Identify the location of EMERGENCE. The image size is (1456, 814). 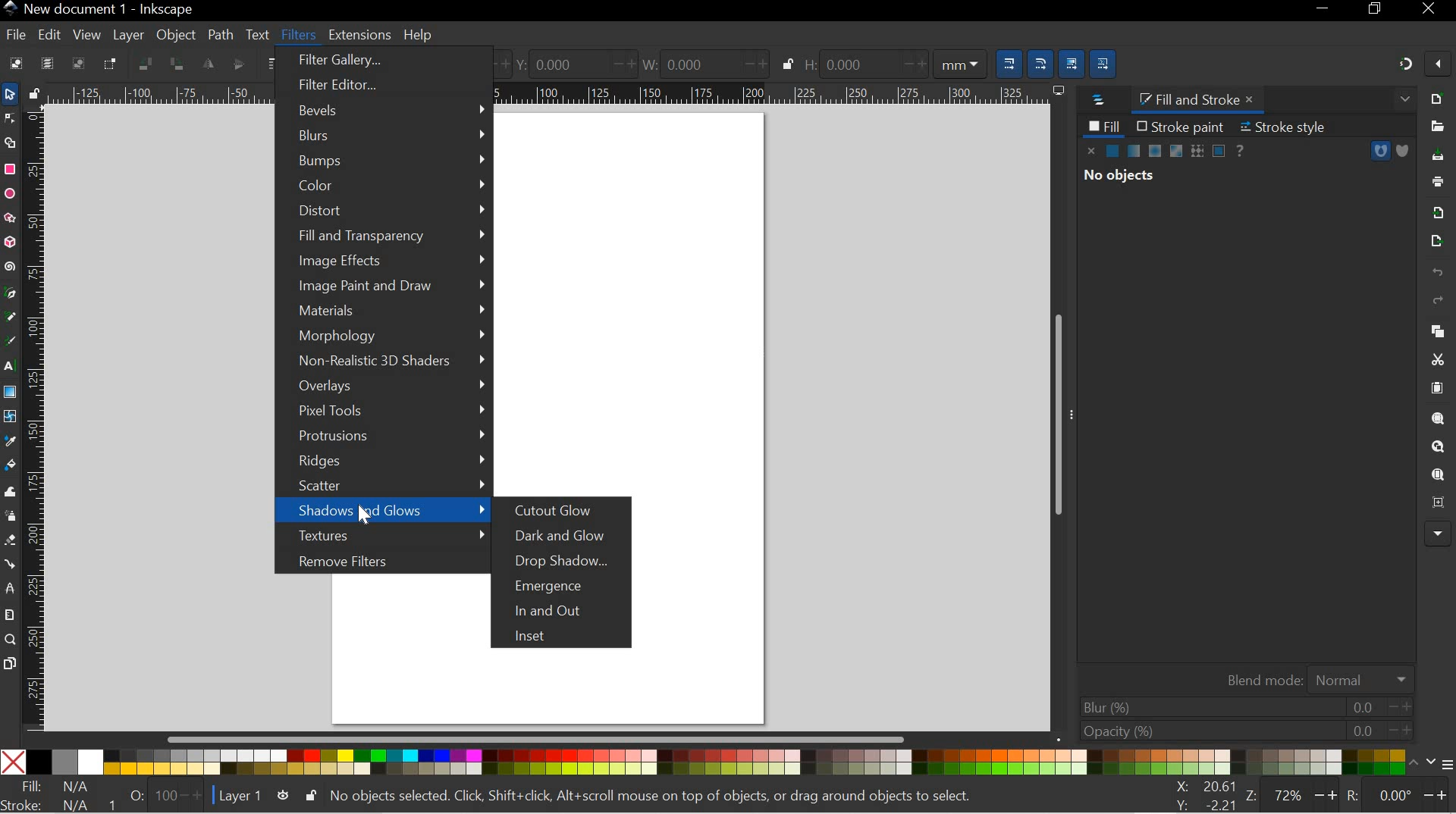
(569, 584).